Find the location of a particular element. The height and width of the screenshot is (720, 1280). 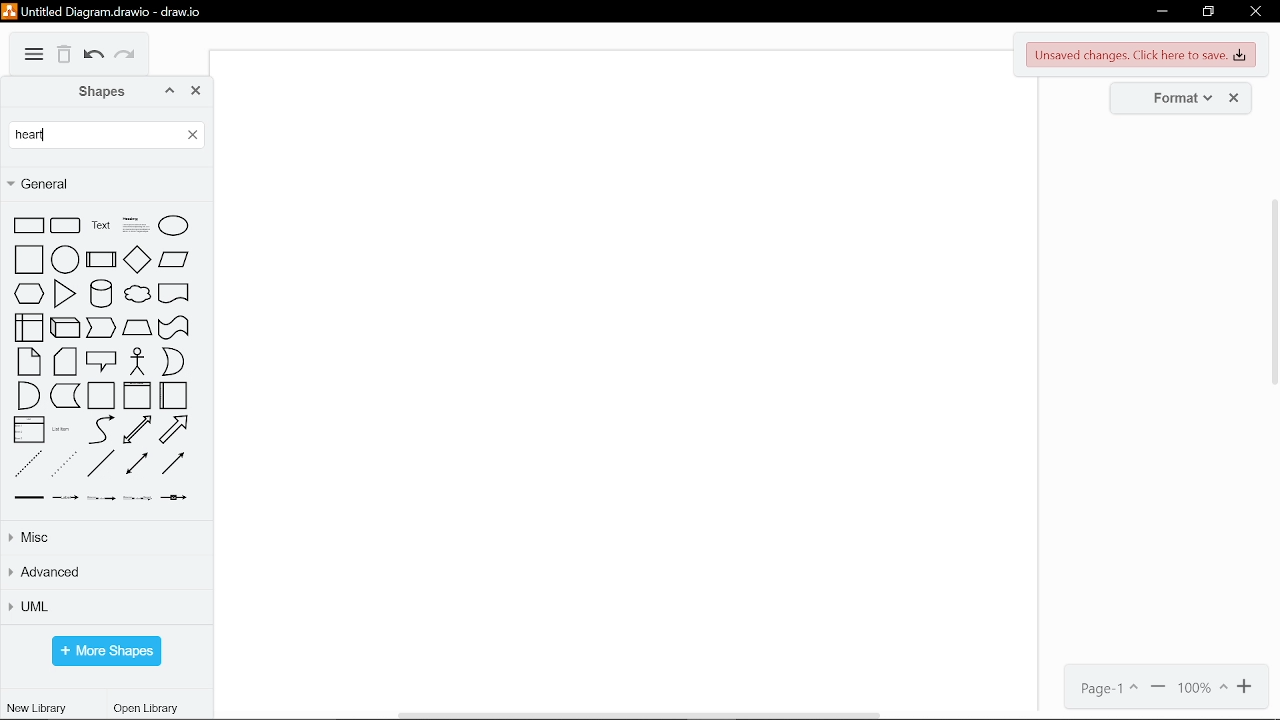

new library is located at coordinates (36, 707).